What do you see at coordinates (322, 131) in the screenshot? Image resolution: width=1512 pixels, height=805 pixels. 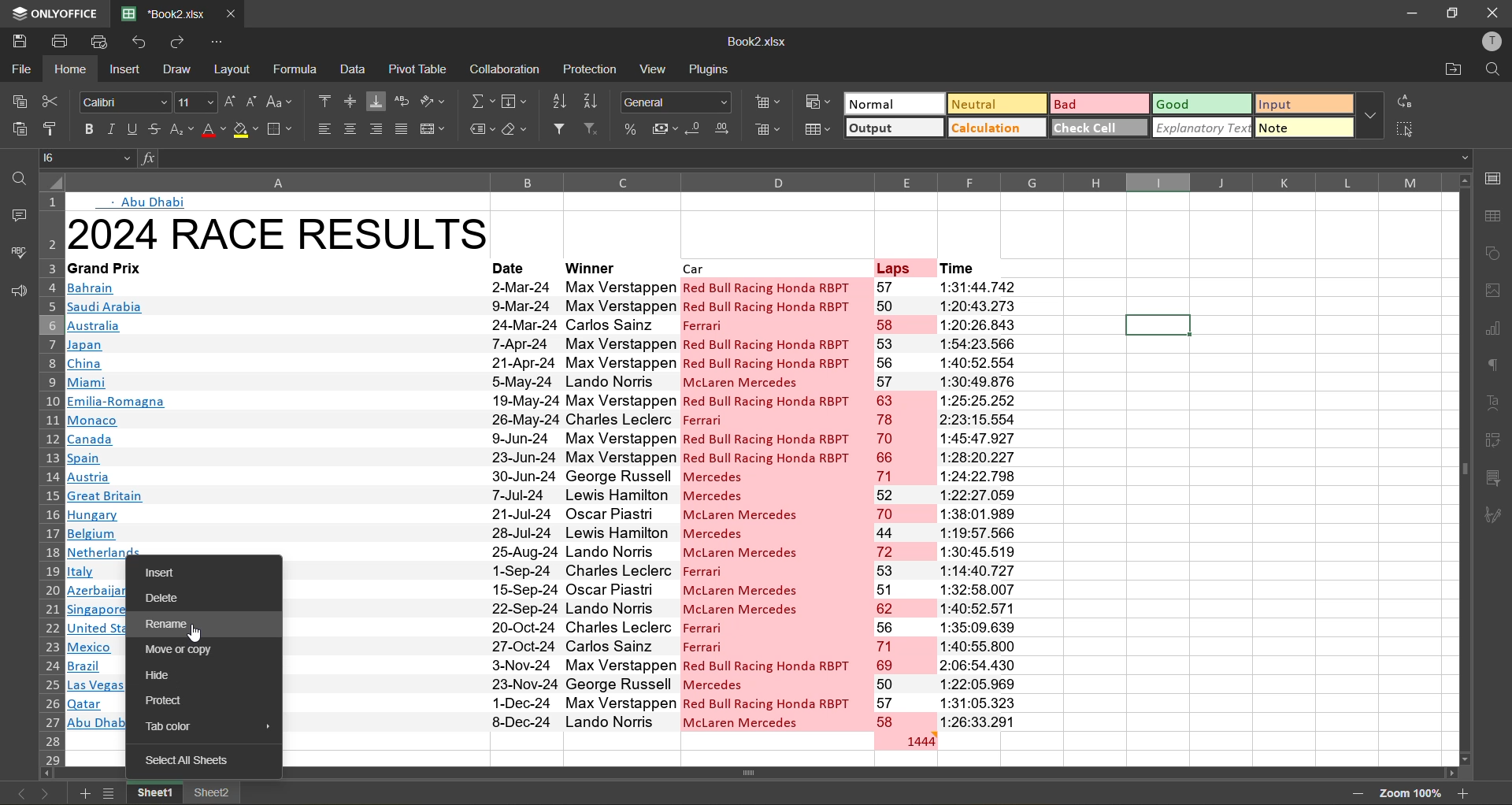 I see `align left` at bounding box center [322, 131].